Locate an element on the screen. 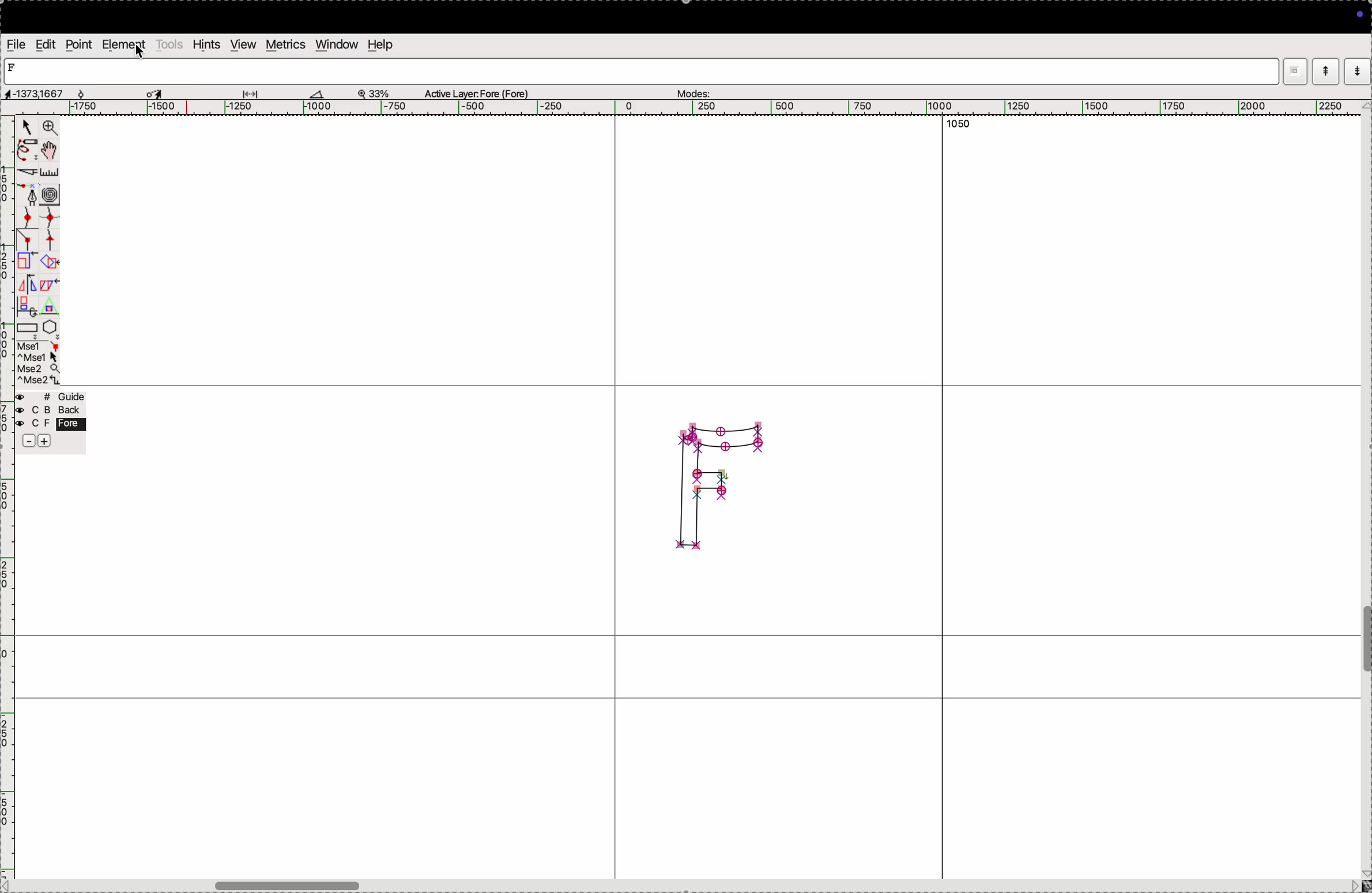  hints is located at coordinates (207, 44).